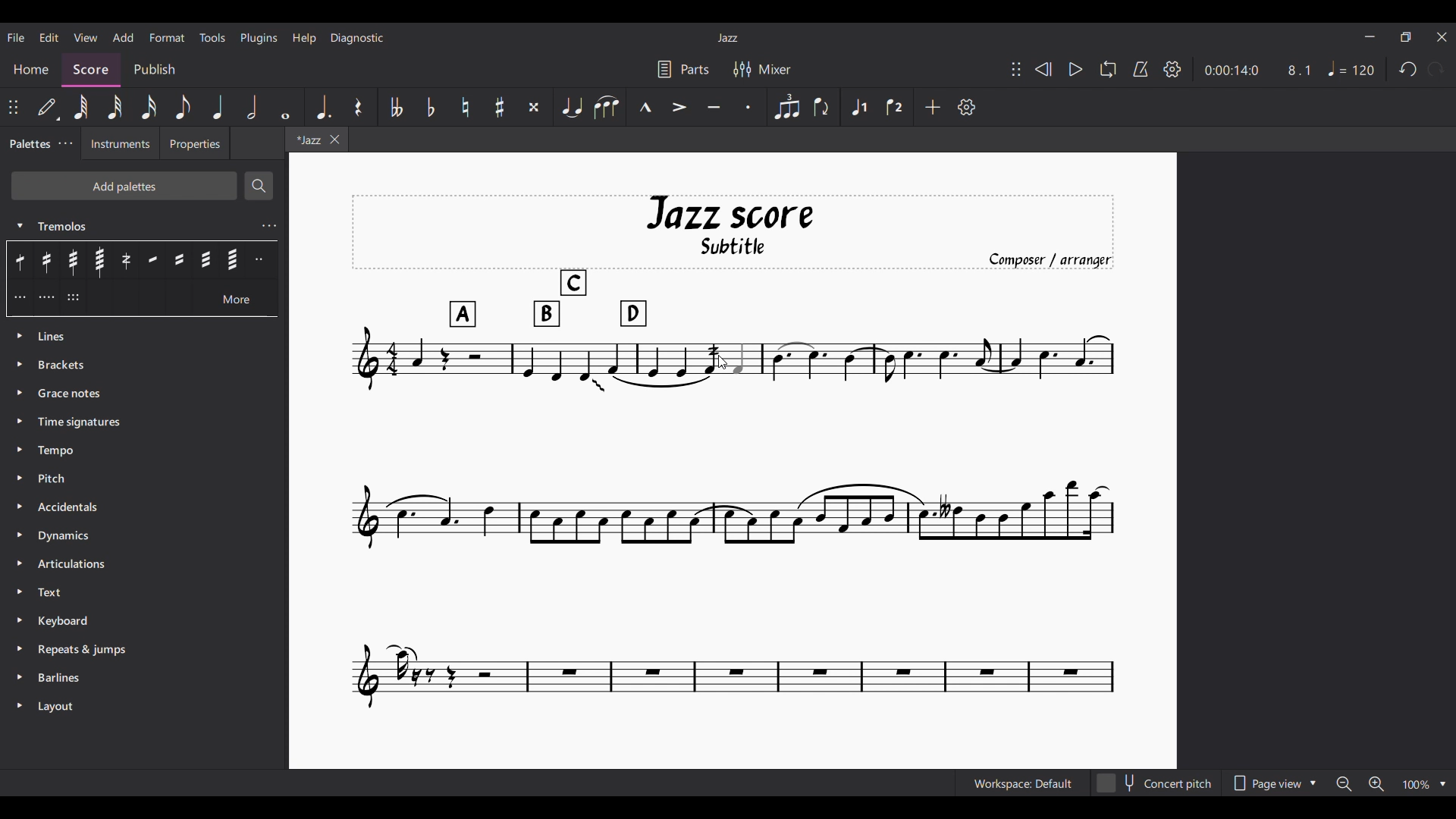  I want to click on Toggle double sharp, so click(534, 107).